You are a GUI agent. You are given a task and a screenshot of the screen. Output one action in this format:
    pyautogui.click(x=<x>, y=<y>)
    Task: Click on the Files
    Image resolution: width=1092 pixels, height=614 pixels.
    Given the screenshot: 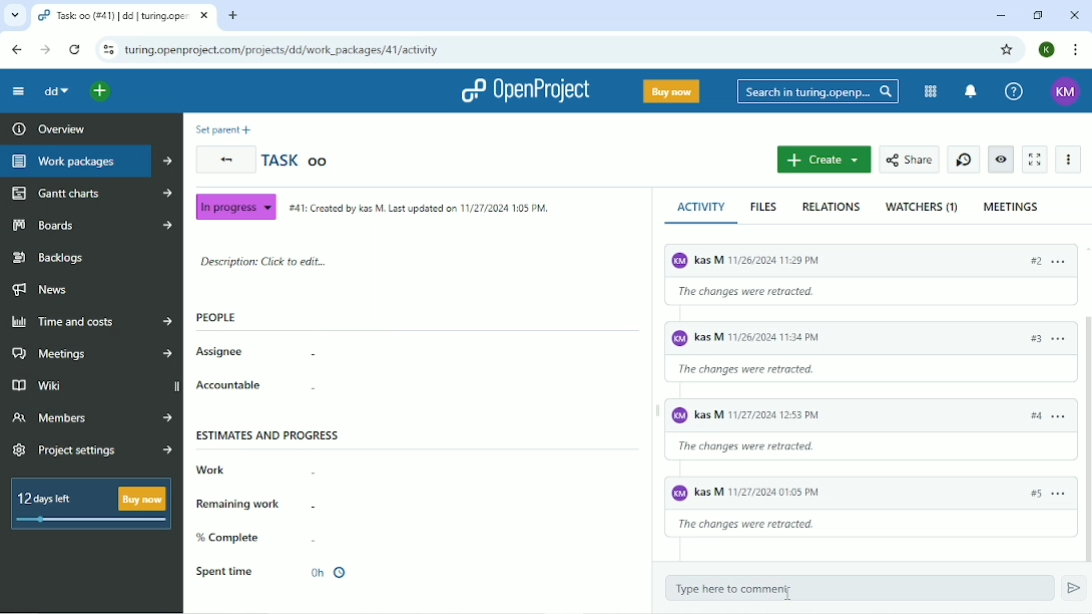 What is the action you would take?
    pyautogui.click(x=765, y=207)
    